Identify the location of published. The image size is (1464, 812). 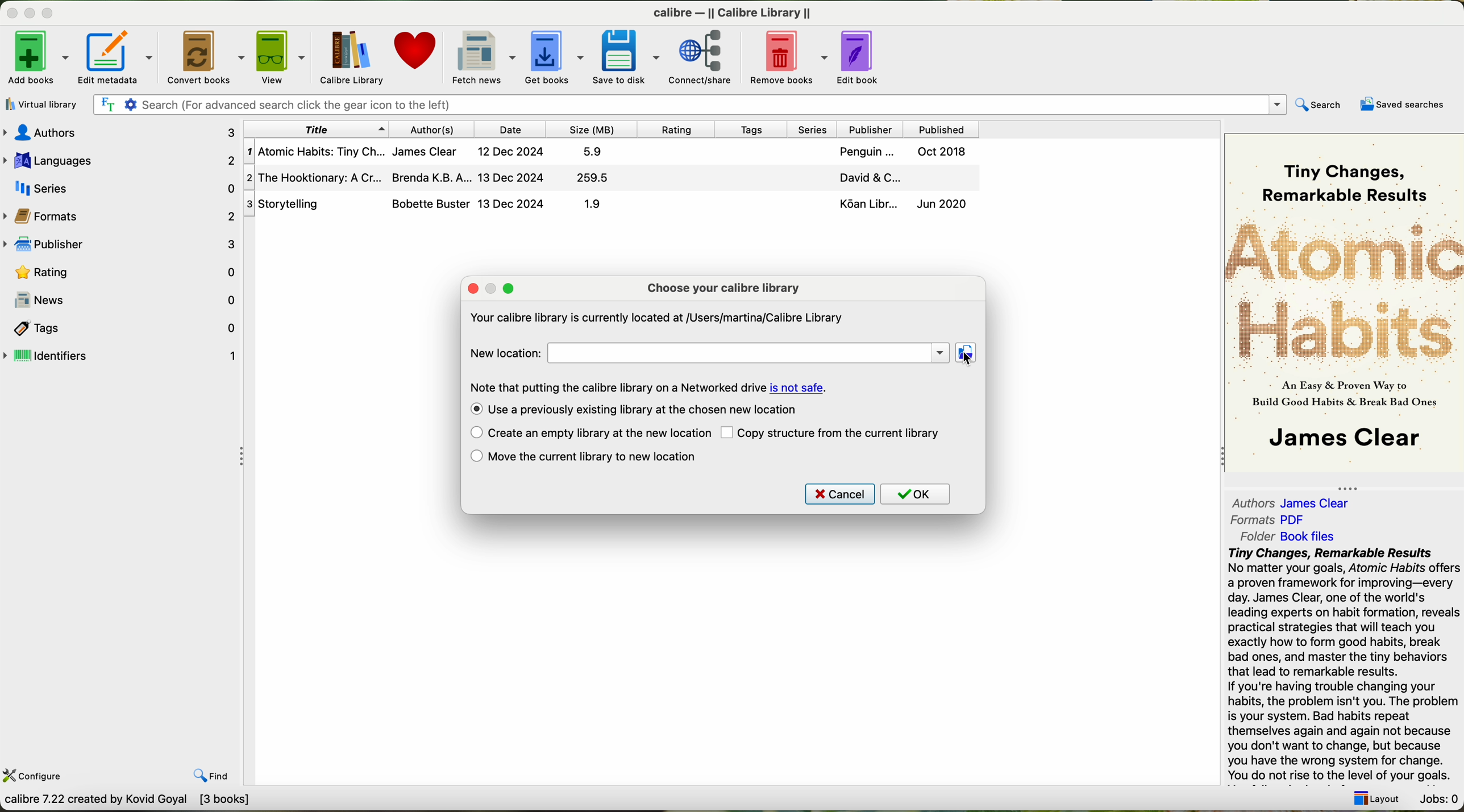
(940, 128).